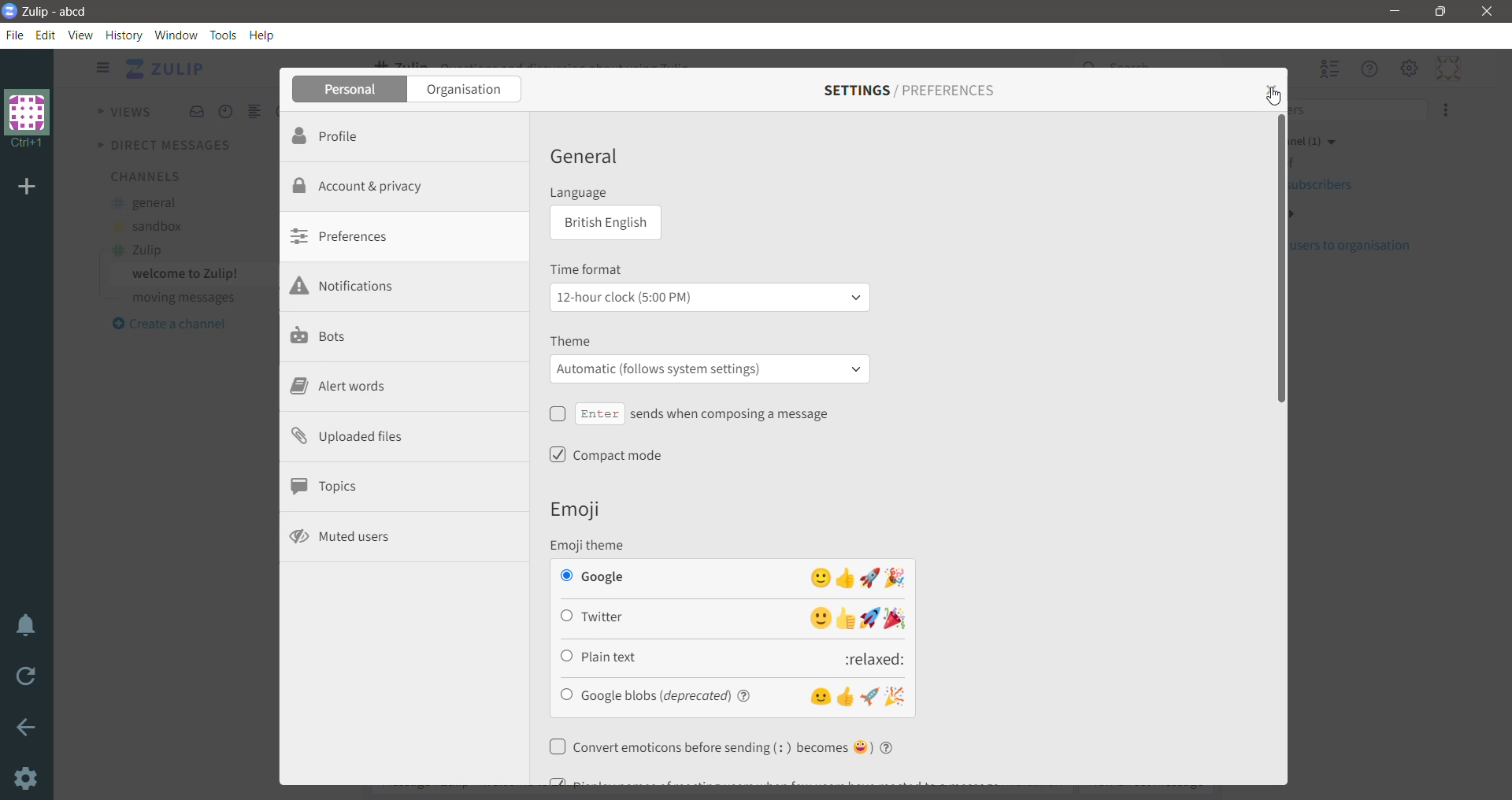  Describe the element at coordinates (1443, 12) in the screenshot. I see `Restore Down` at that location.